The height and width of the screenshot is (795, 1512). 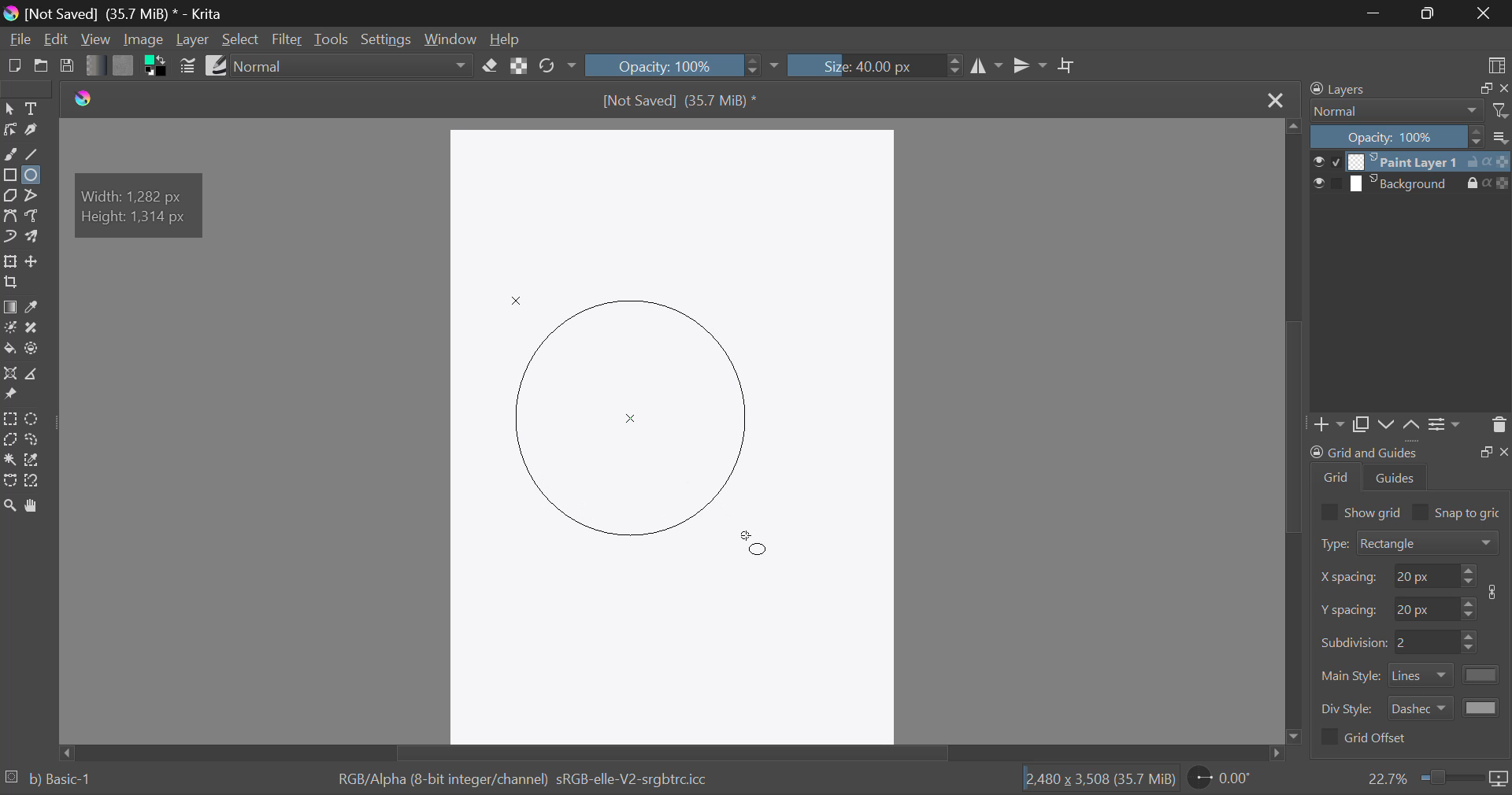 What do you see at coordinates (1402, 426) in the screenshot?
I see `Movement of Layers` at bounding box center [1402, 426].